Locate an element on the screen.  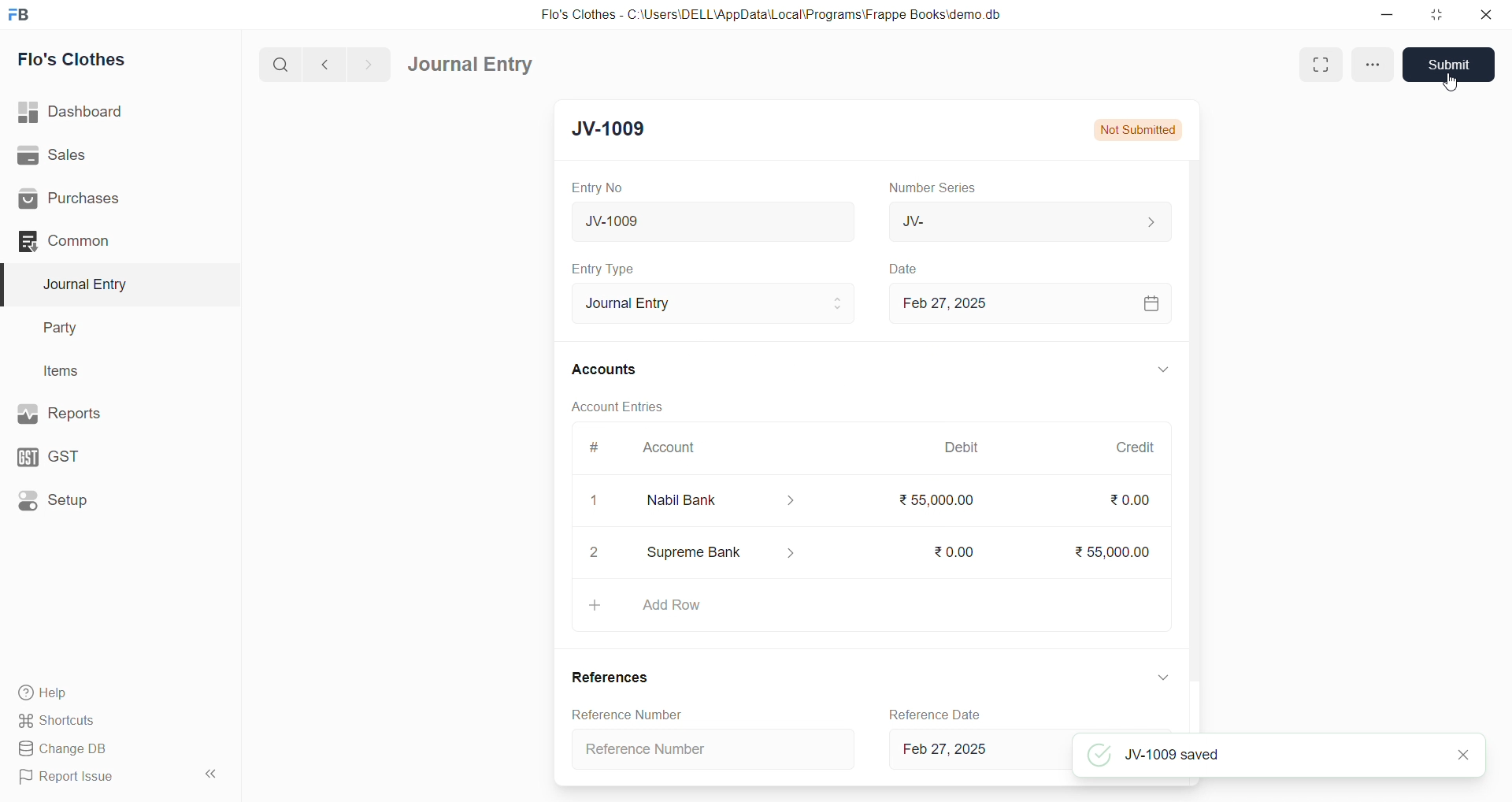
navigate backward is located at coordinates (327, 65).